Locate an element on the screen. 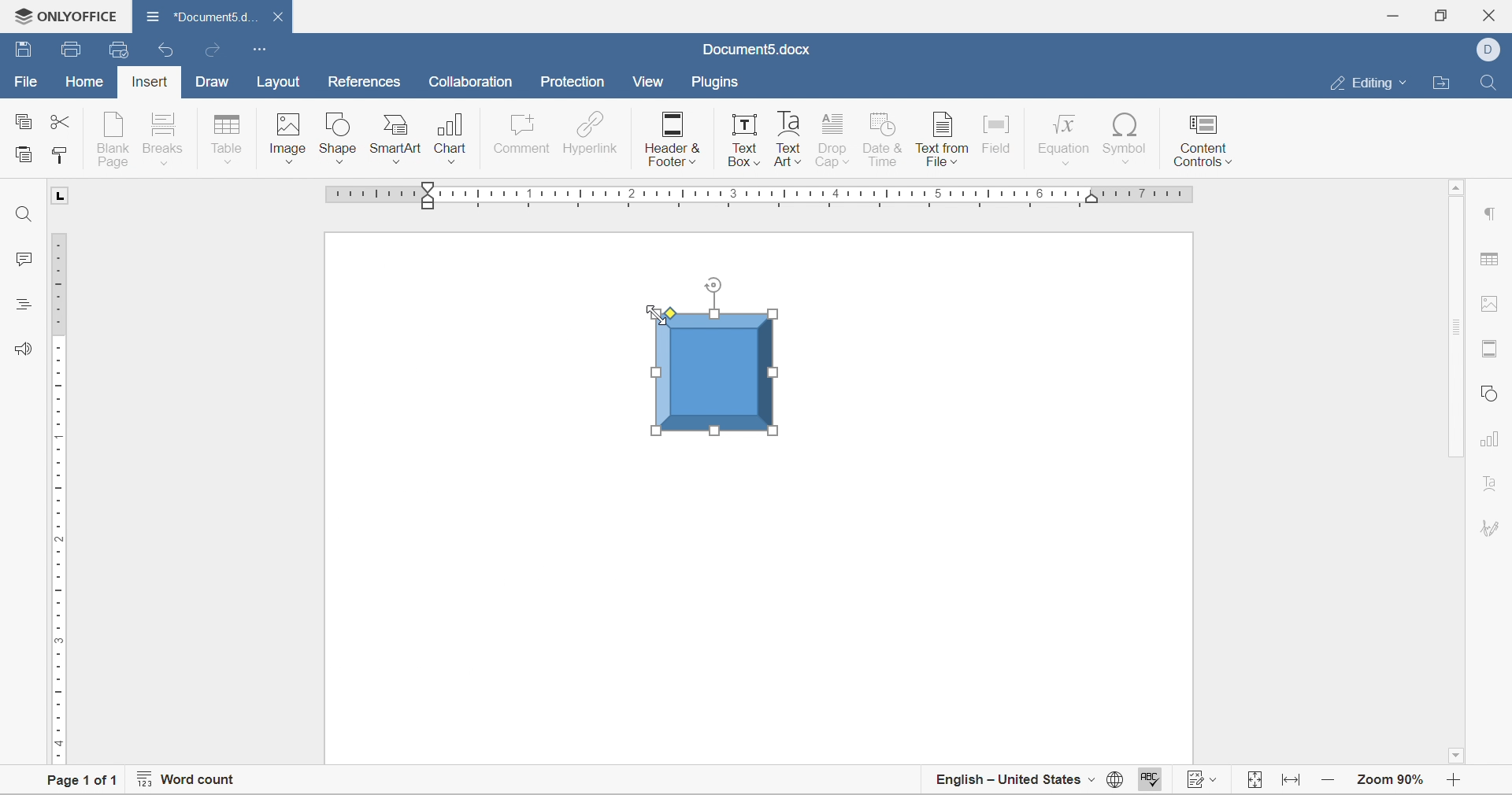 The height and width of the screenshot is (795, 1512). shape is located at coordinates (335, 133).